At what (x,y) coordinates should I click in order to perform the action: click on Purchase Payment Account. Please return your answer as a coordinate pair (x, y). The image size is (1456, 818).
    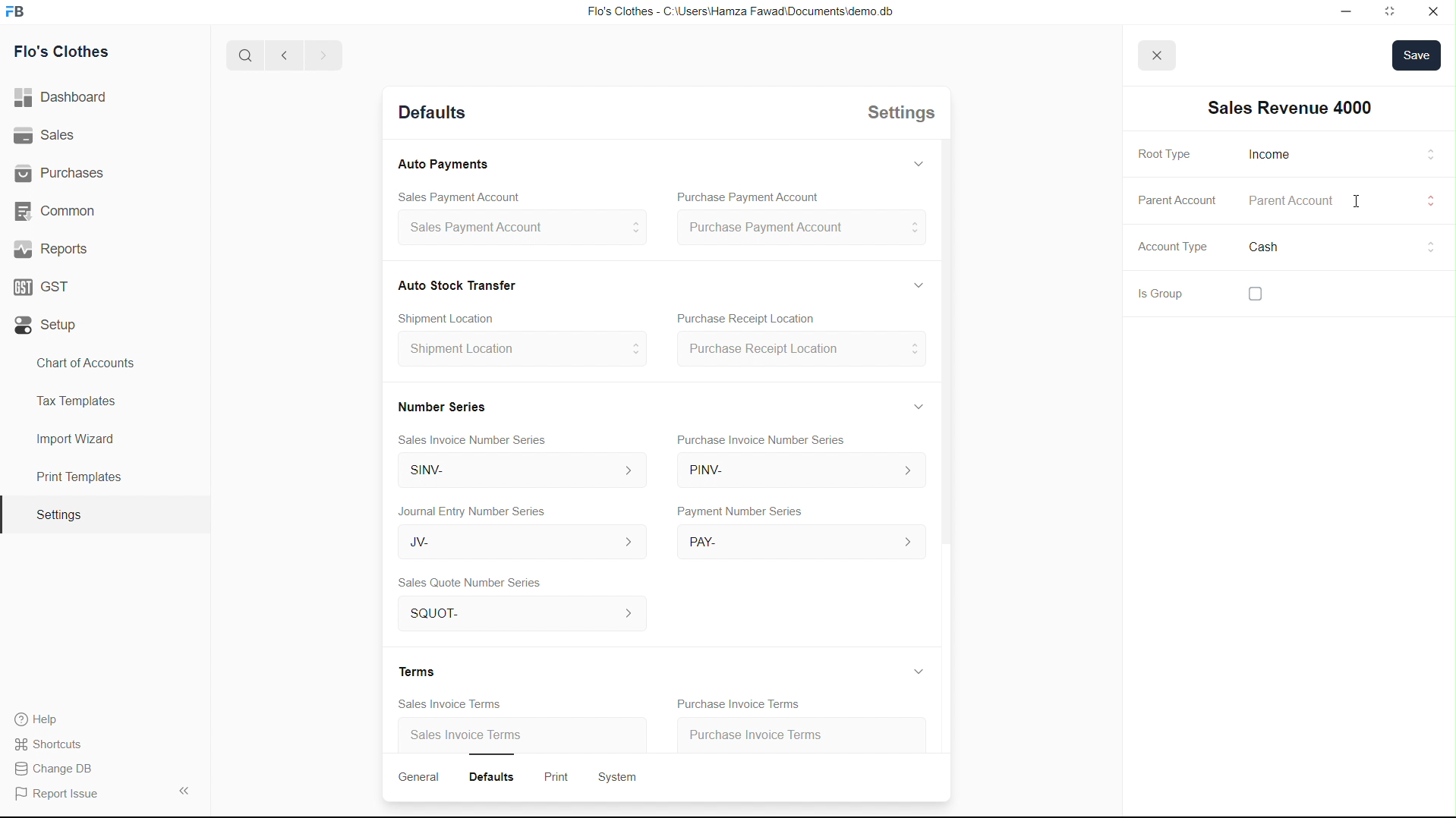
    Looking at the image, I should click on (742, 197).